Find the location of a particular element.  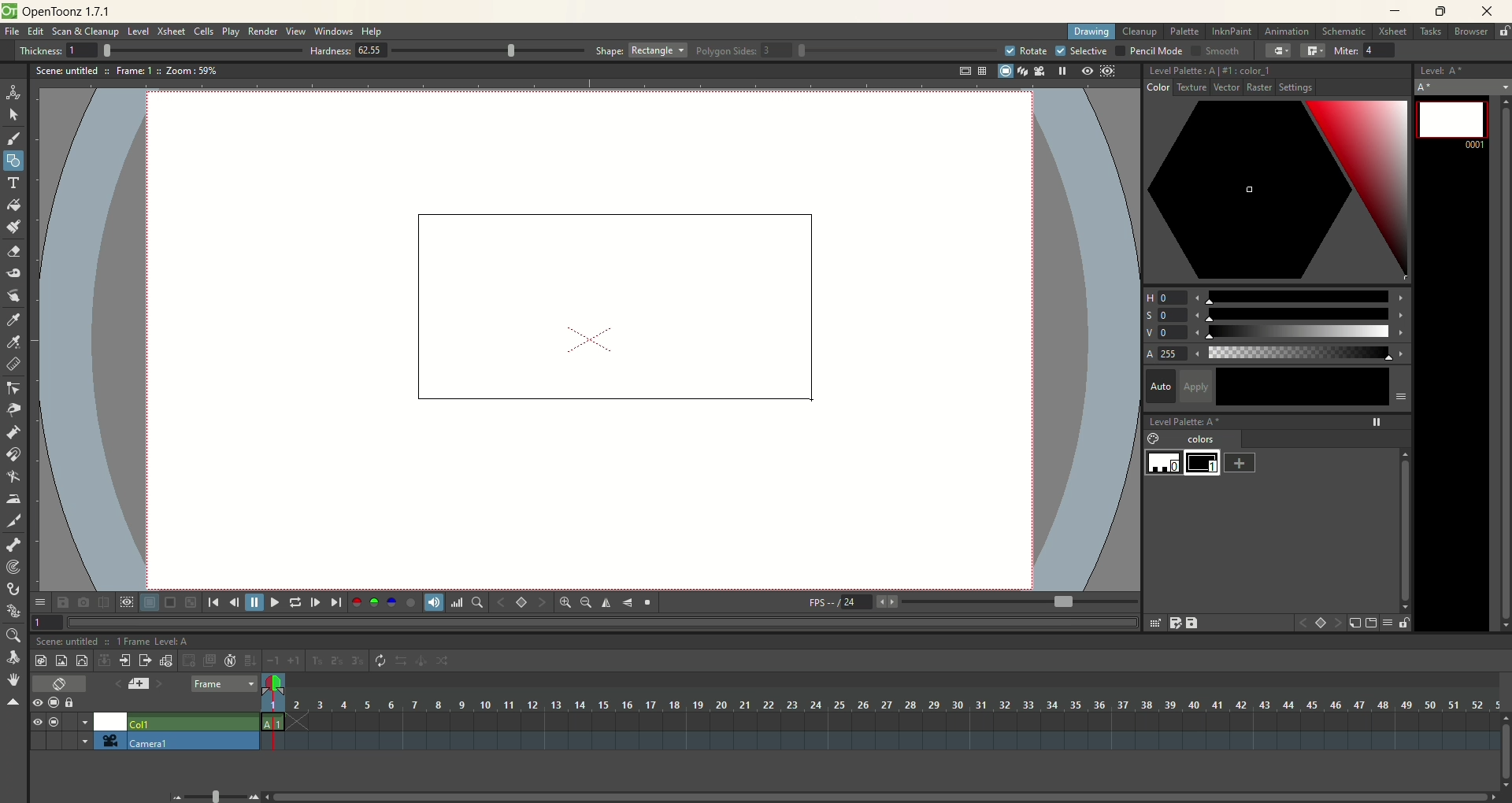

minimize is located at coordinates (1395, 10).